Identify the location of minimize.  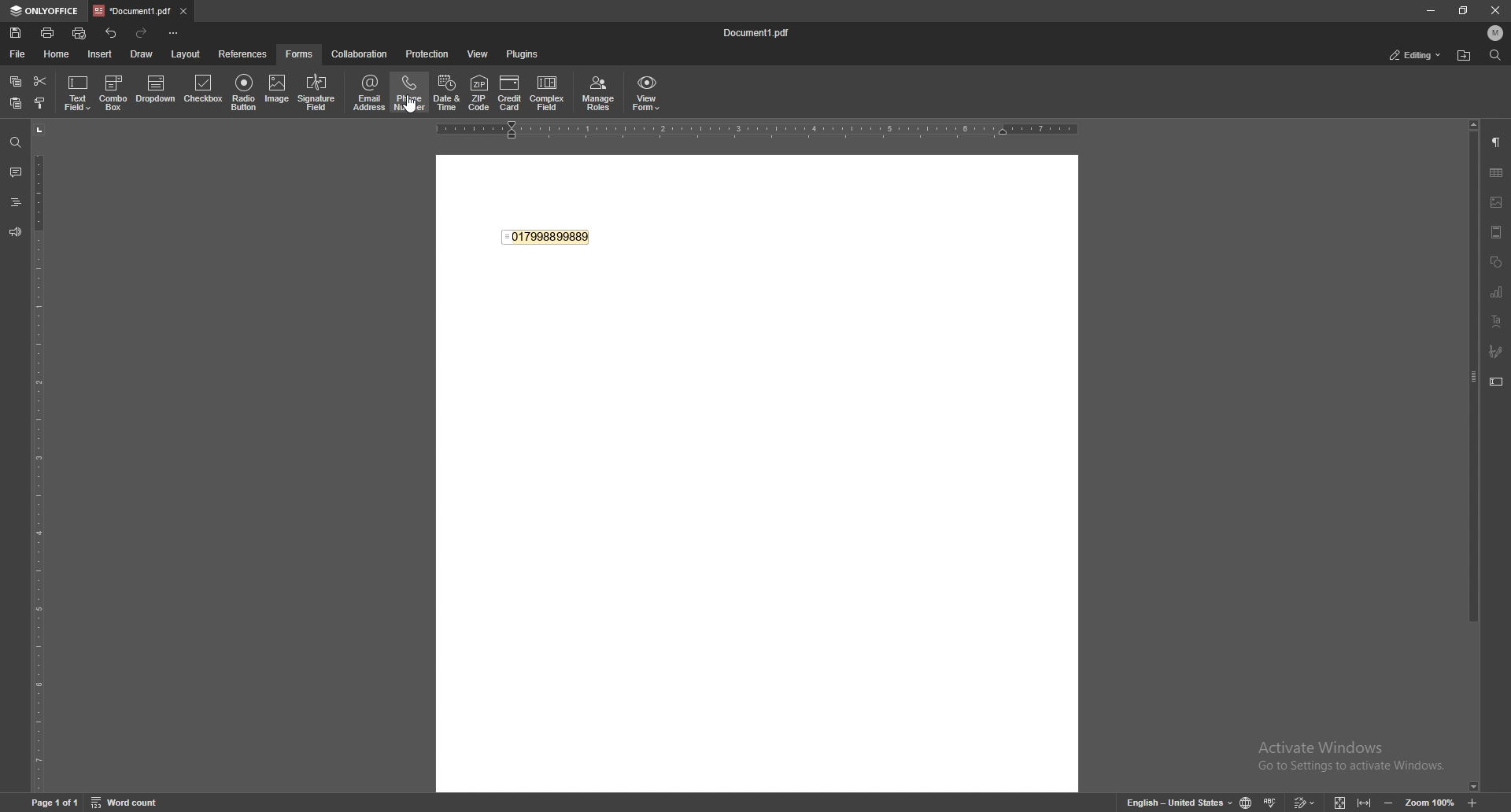
(1431, 10).